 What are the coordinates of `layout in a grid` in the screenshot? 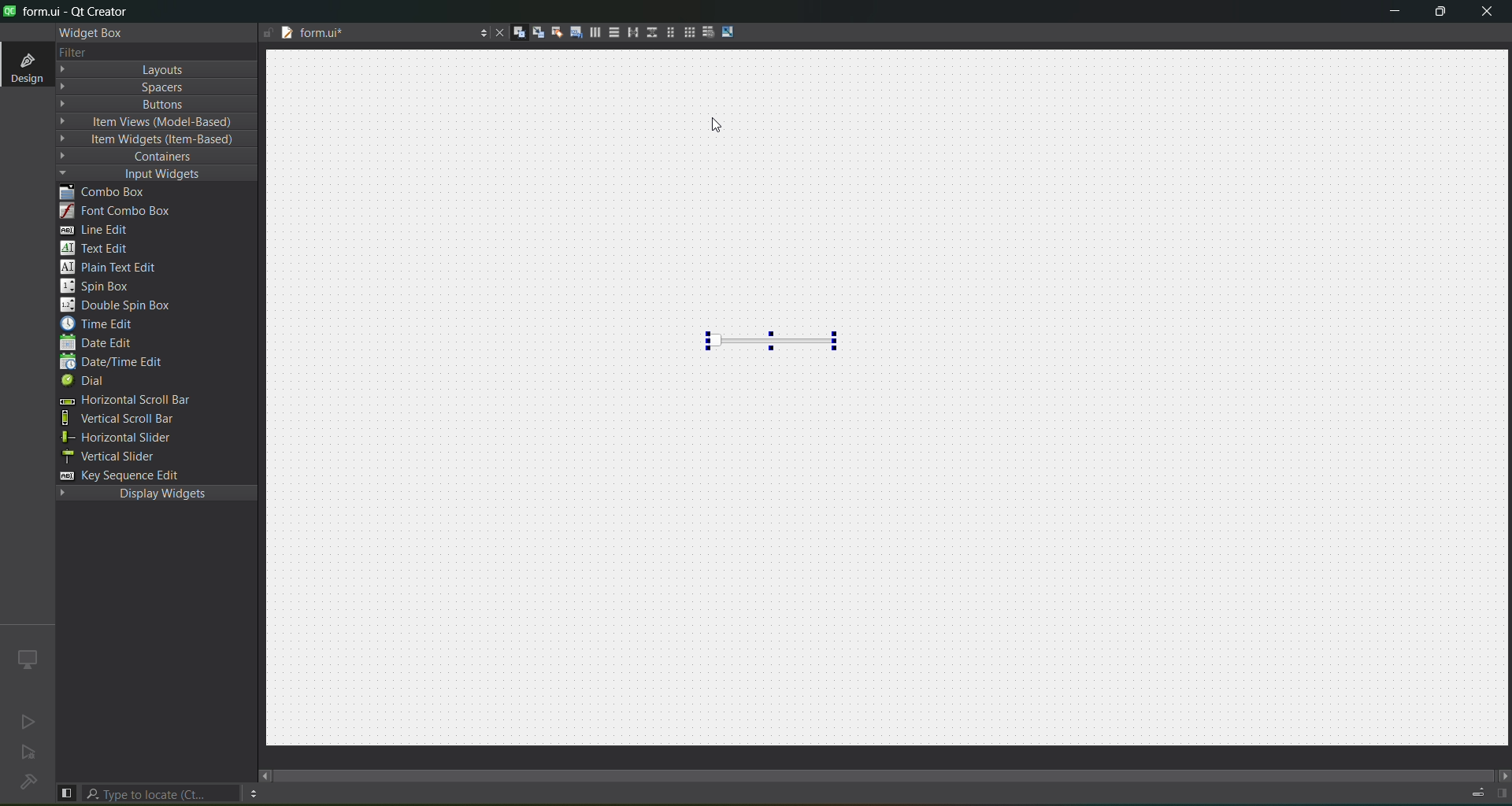 It's located at (691, 31).